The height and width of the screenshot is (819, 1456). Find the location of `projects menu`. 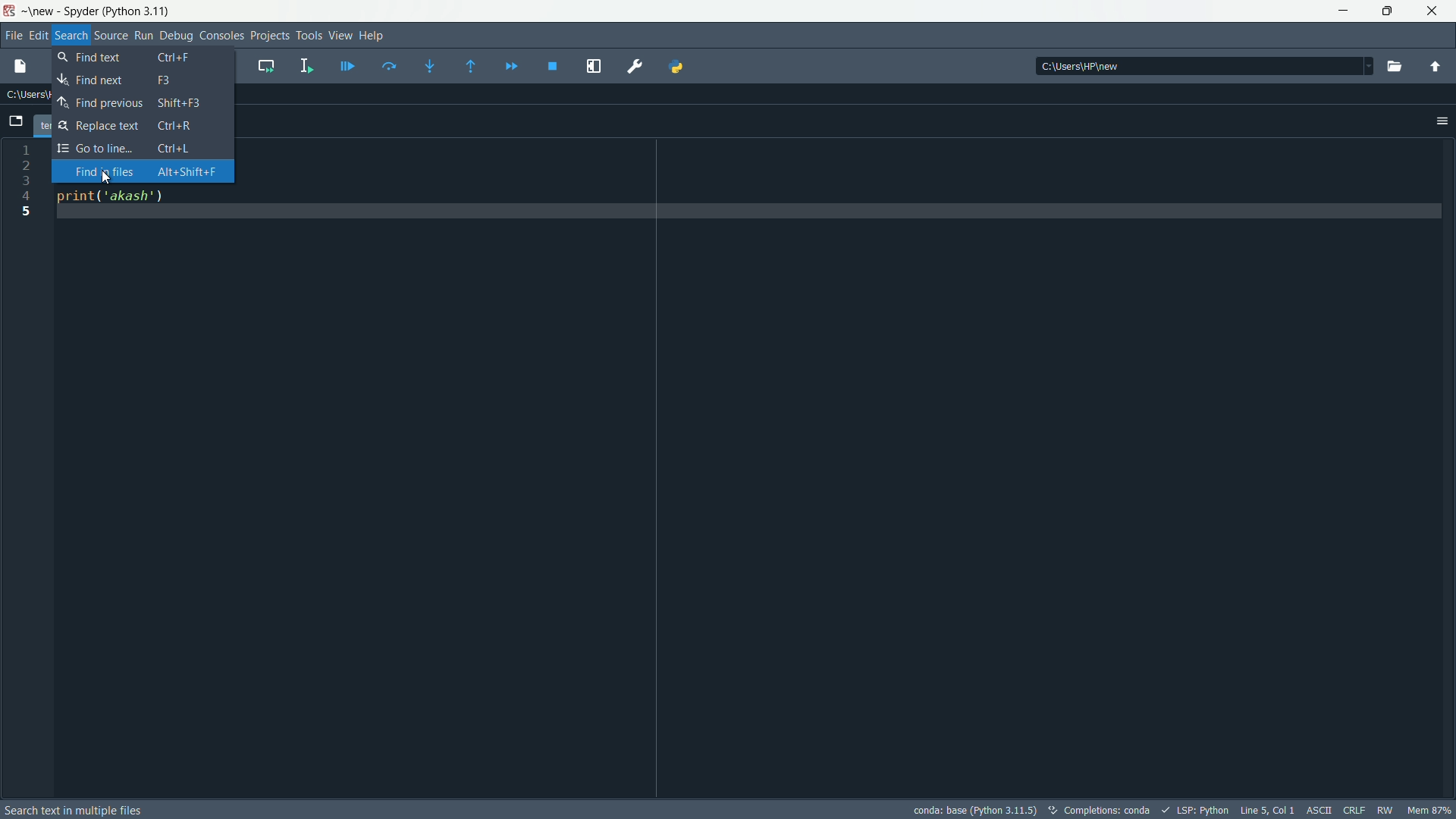

projects menu is located at coordinates (270, 36).